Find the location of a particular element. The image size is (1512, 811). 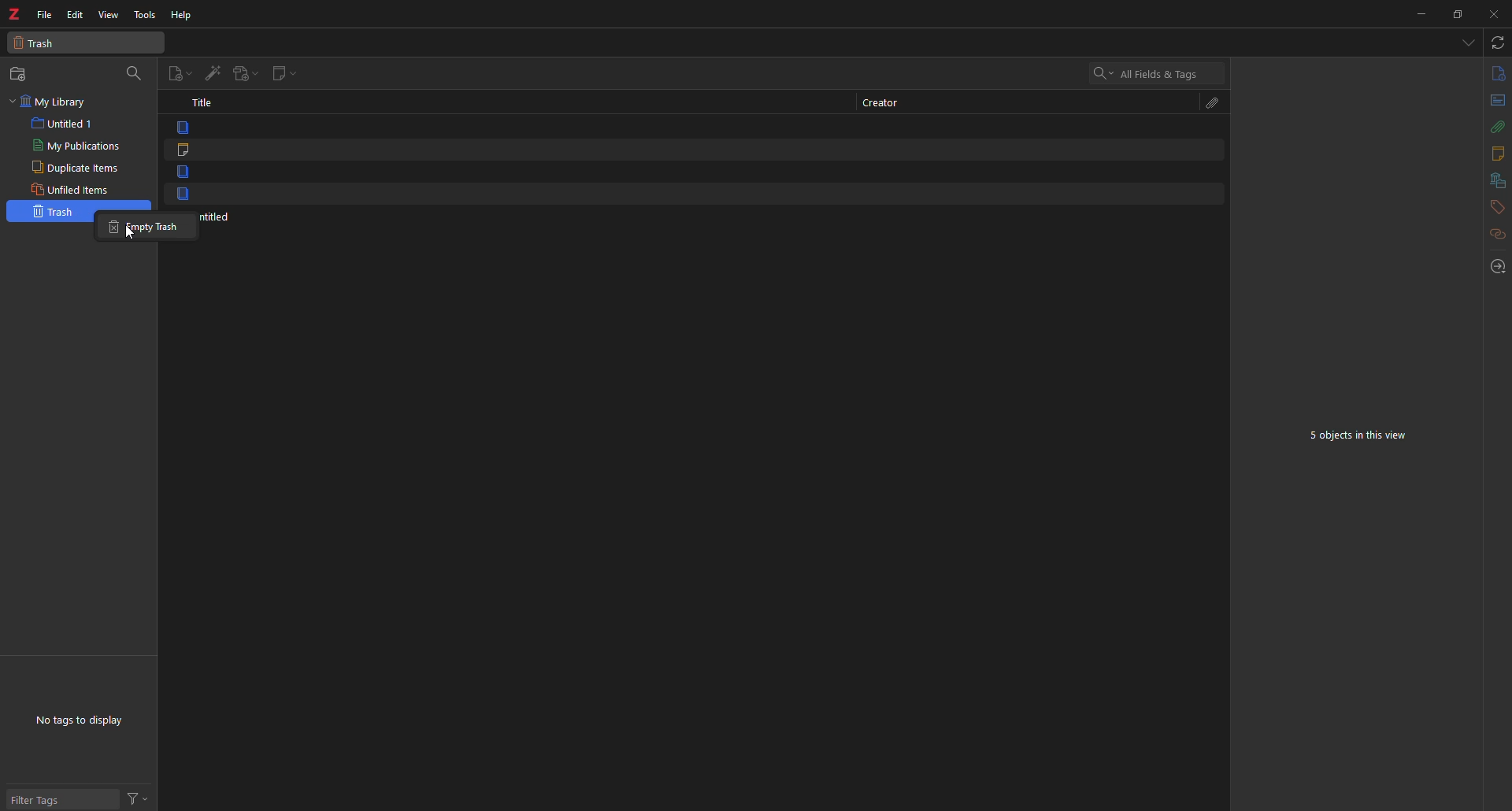

locate is located at coordinates (1496, 263).